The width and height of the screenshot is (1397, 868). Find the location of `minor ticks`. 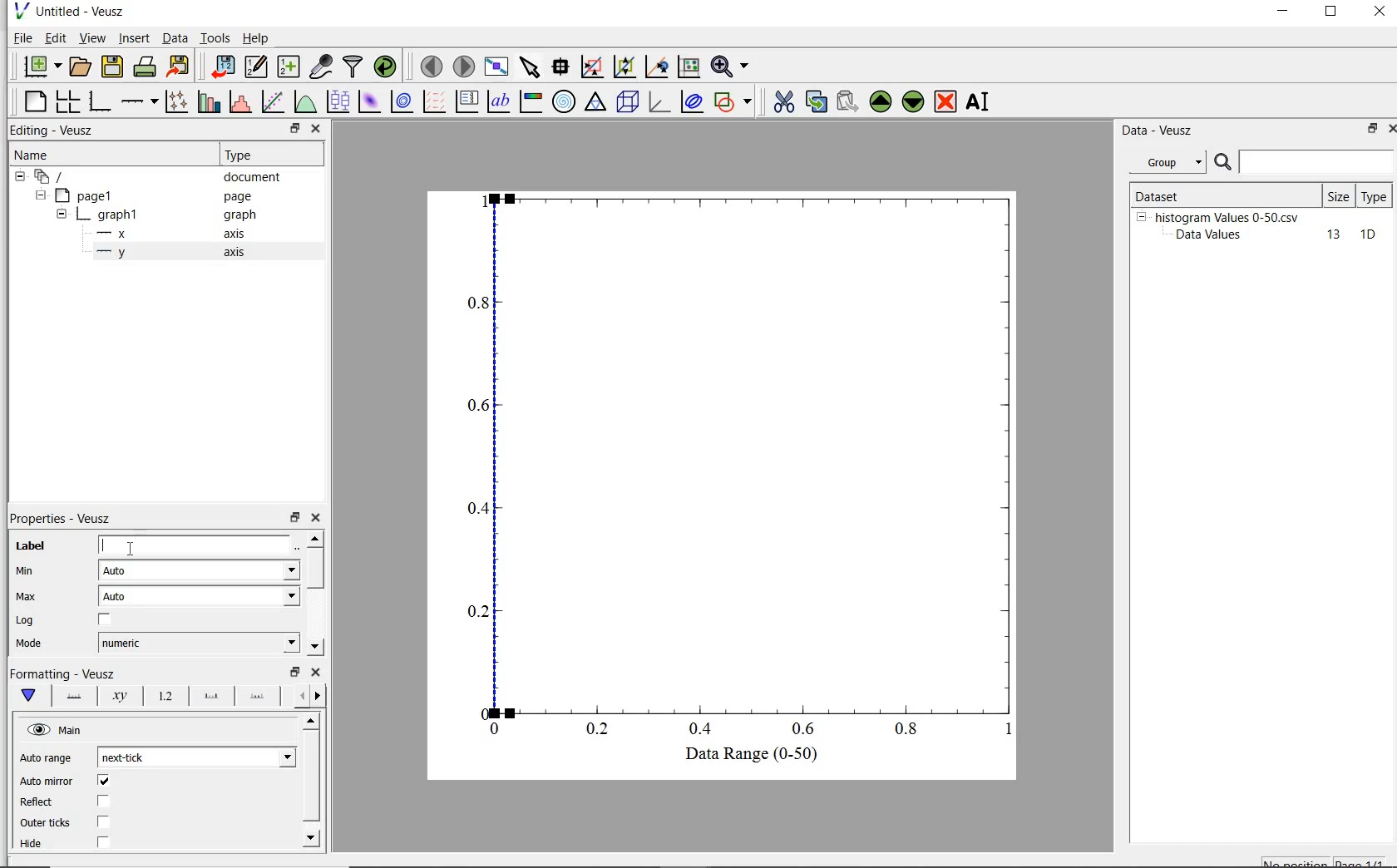

minor ticks is located at coordinates (258, 698).